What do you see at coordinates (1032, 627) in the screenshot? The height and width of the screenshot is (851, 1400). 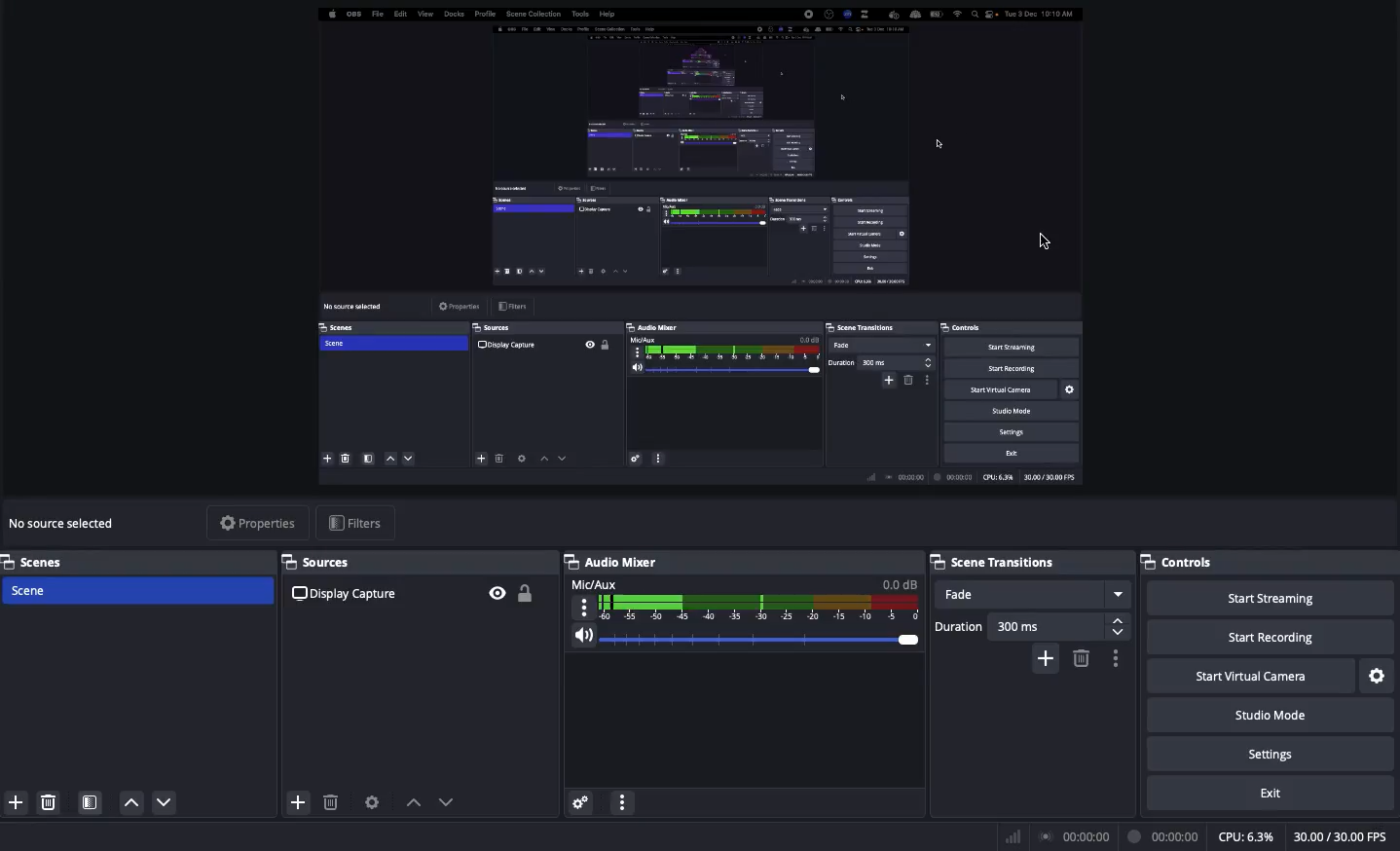 I see `Duration` at bounding box center [1032, 627].